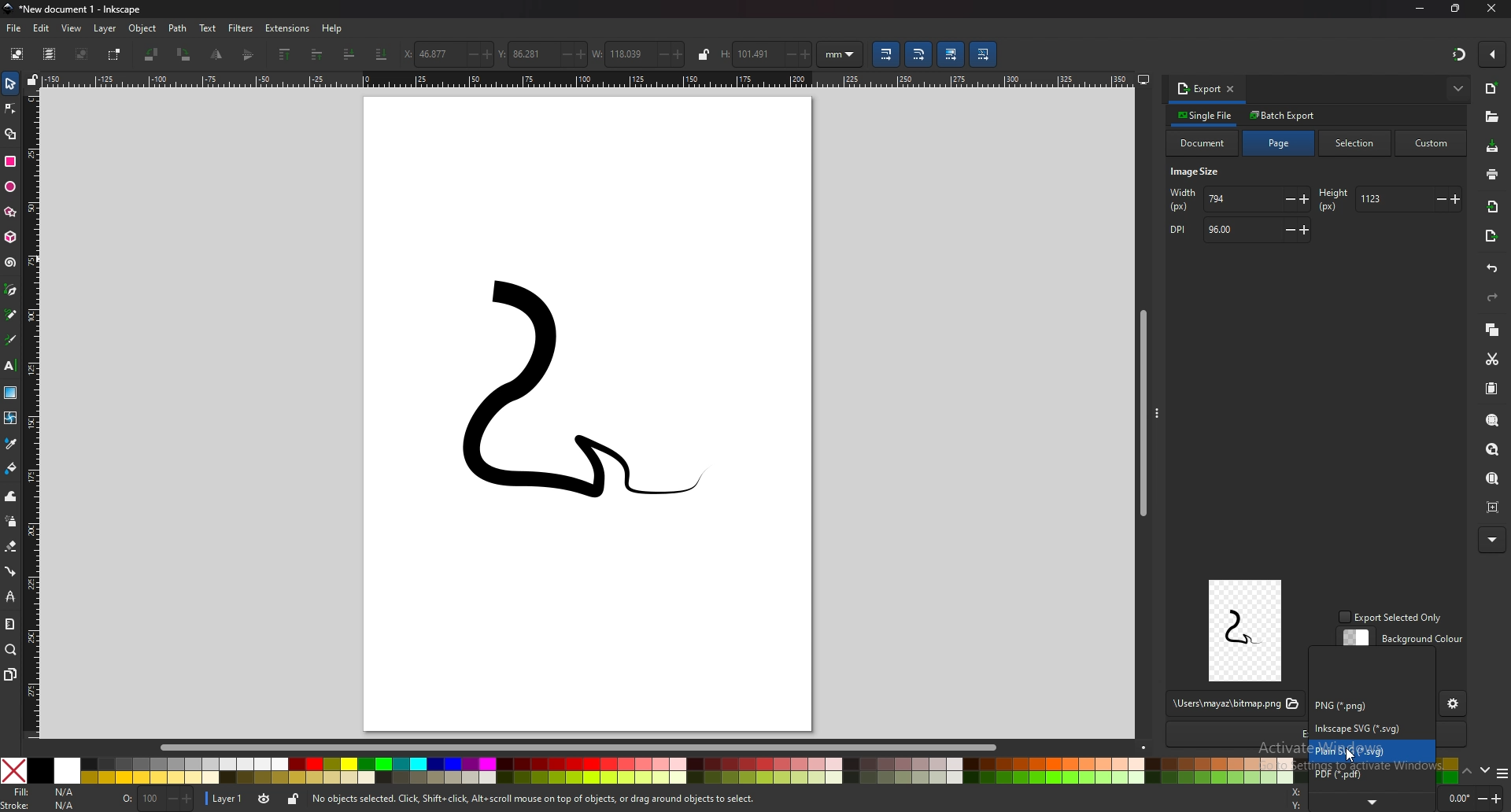  What do you see at coordinates (34, 79) in the screenshot?
I see `lock guides` at bounding box center [34, 79].